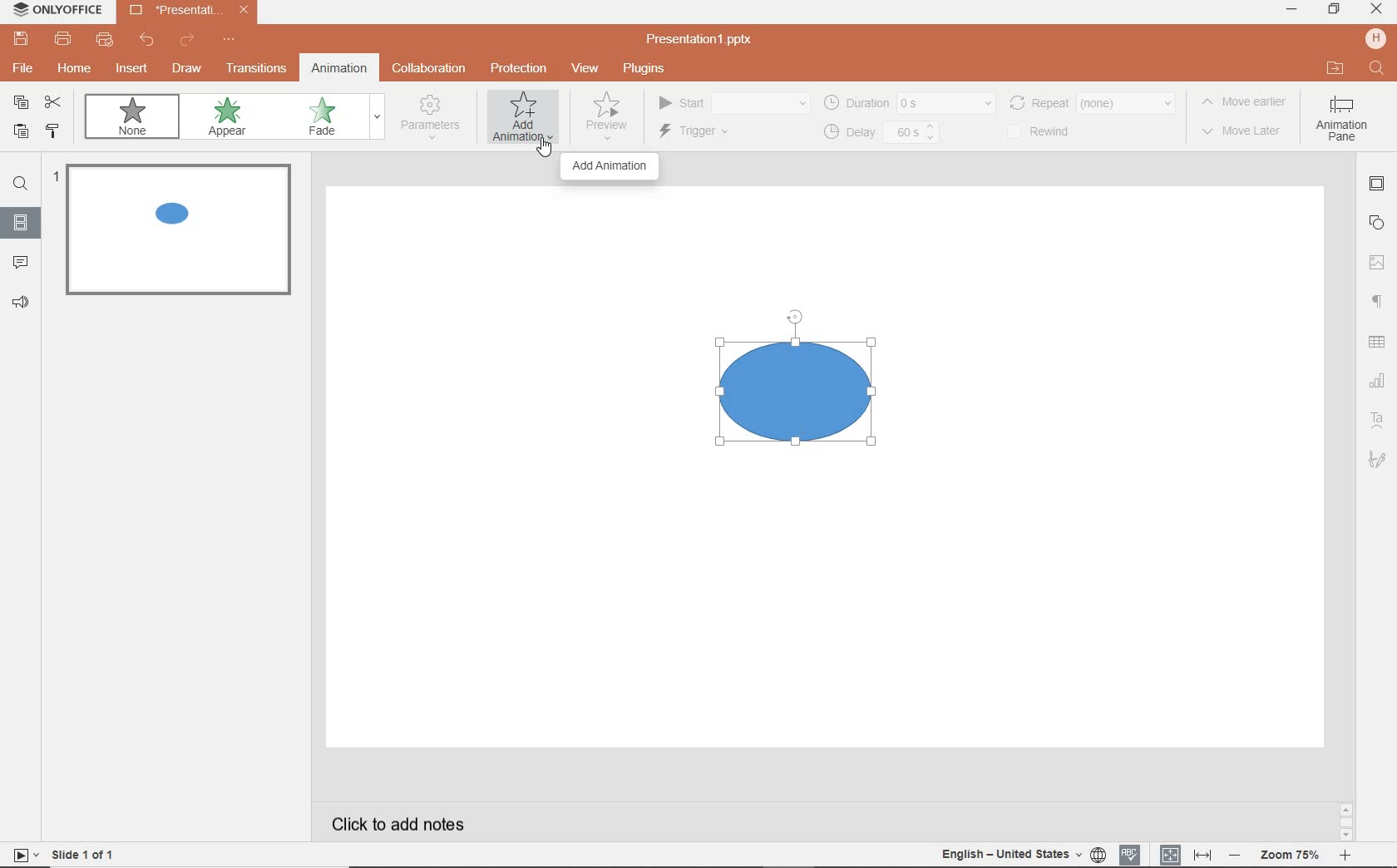 The height and width of the screenshot is (868, 1397). Describe the element at coordinates (1341, 121) in the screenshot. I see `Animation pane` at that location.